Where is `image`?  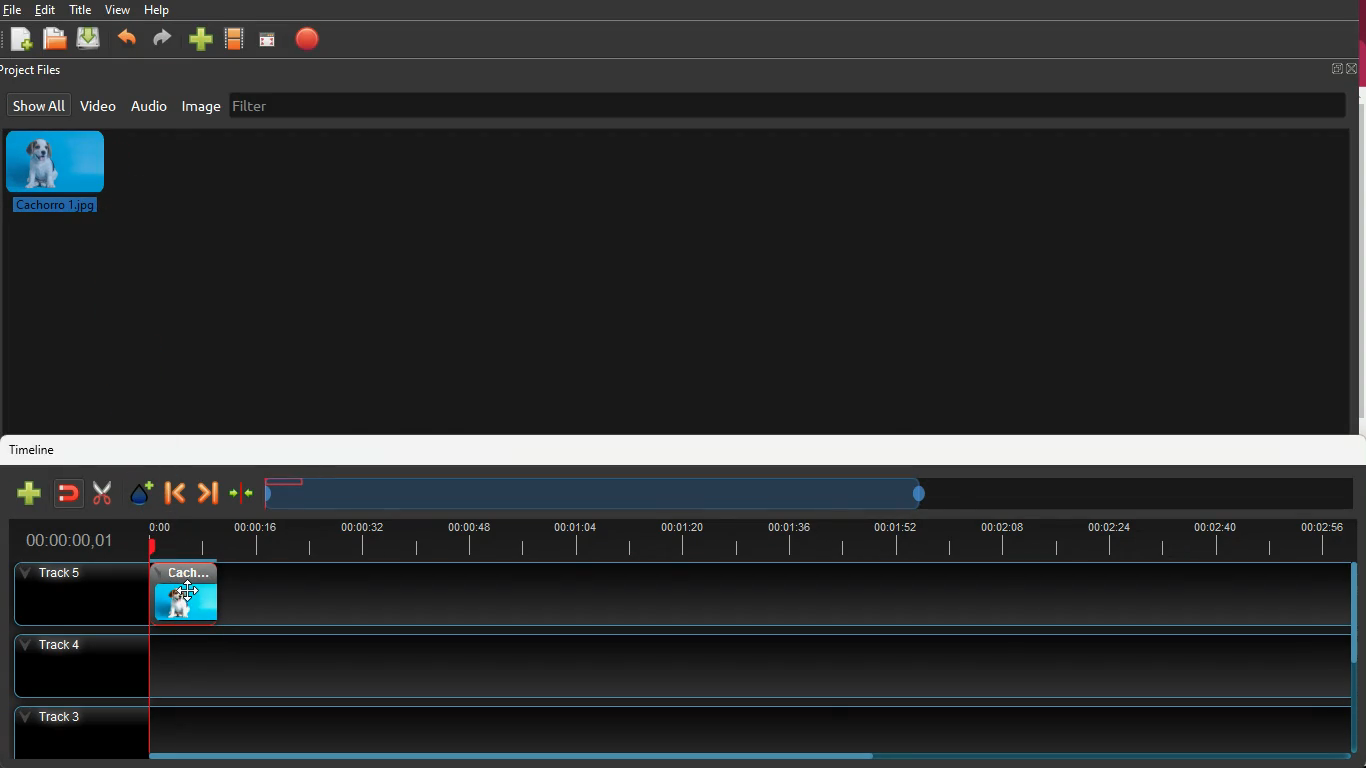
image is located at coordinates (201, 107).